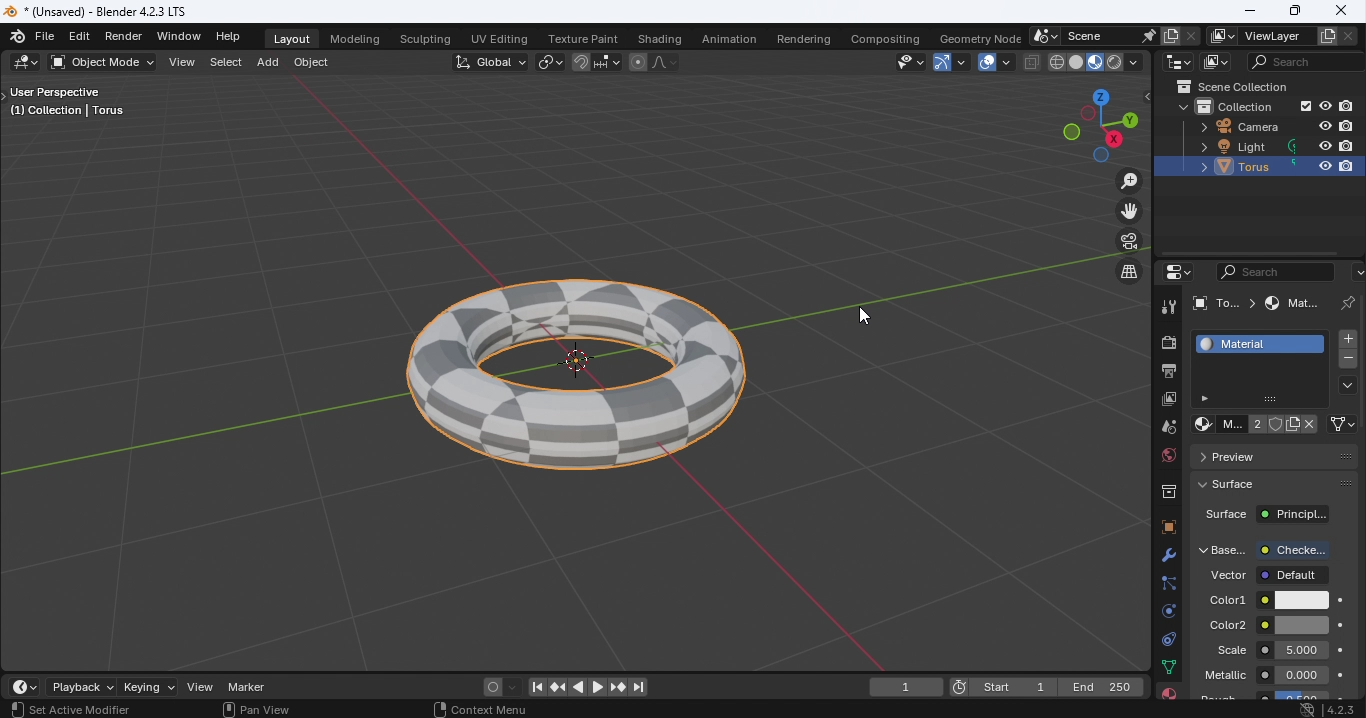 Image resolution: width=1366 pixels, height=718 pixels. I want to click on Material, so click(1239, 424).